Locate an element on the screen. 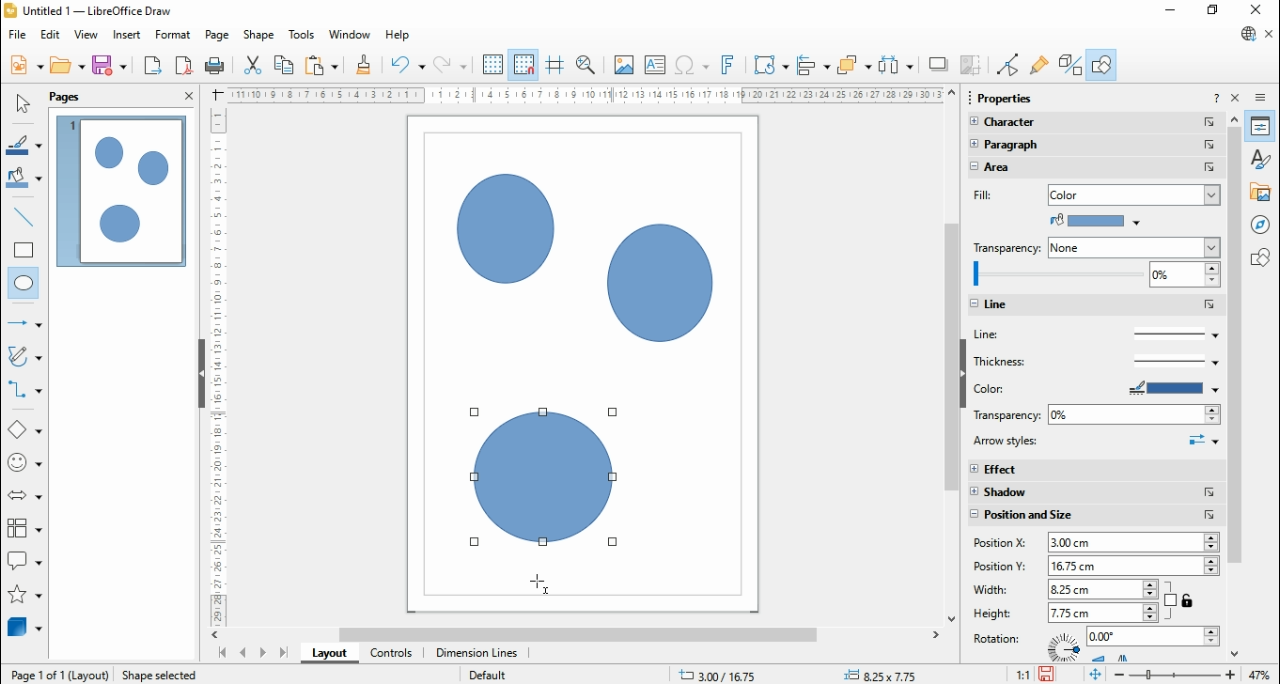  rectangle is located at coordinates (24, 249).